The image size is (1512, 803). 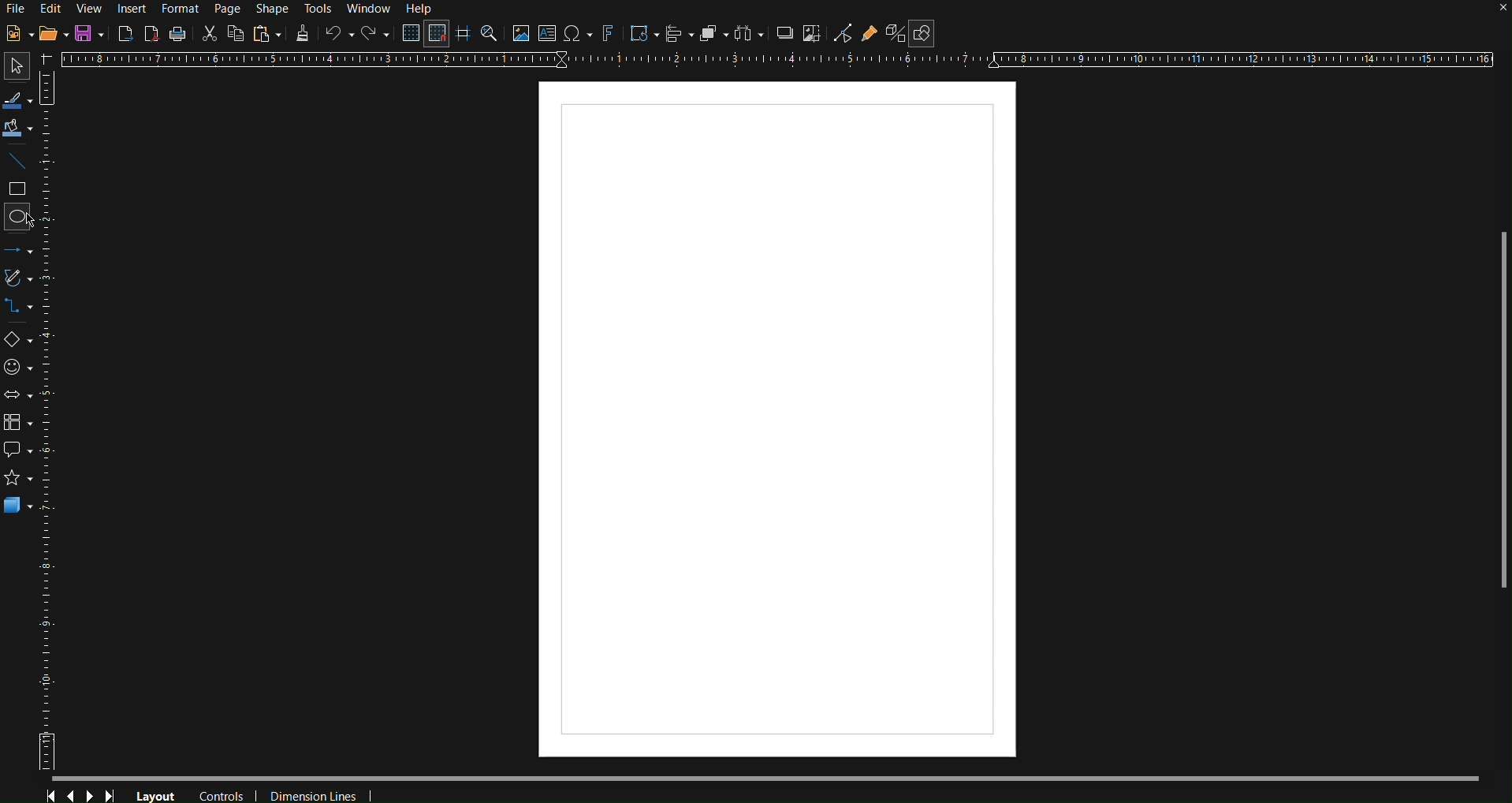 I want to click on Select objects to distribute, so click(x=749, y=35).